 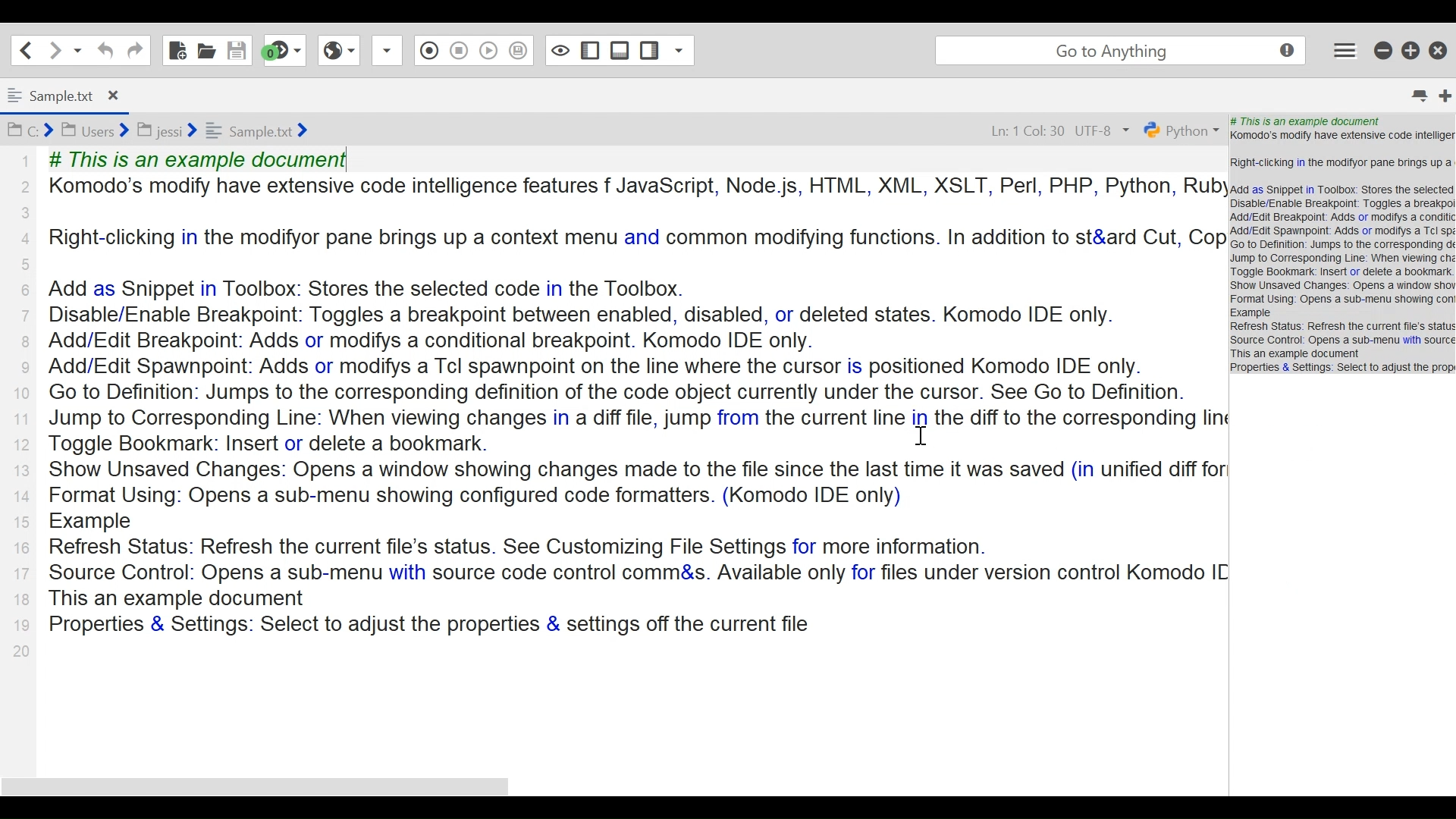 I want to click on Close, so click(x=1439, y=50).